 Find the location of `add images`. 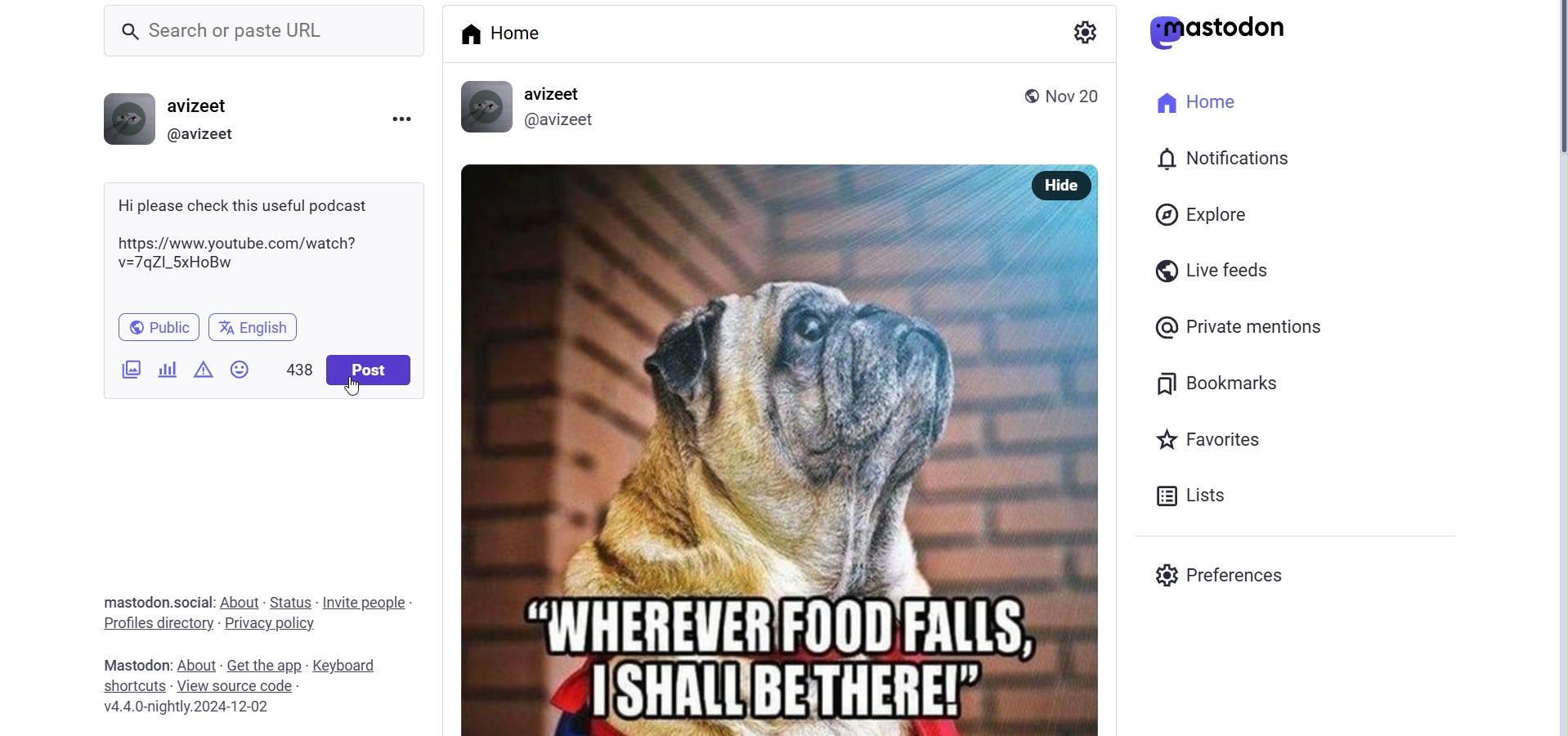

add images is located at coordinates (129, 371).